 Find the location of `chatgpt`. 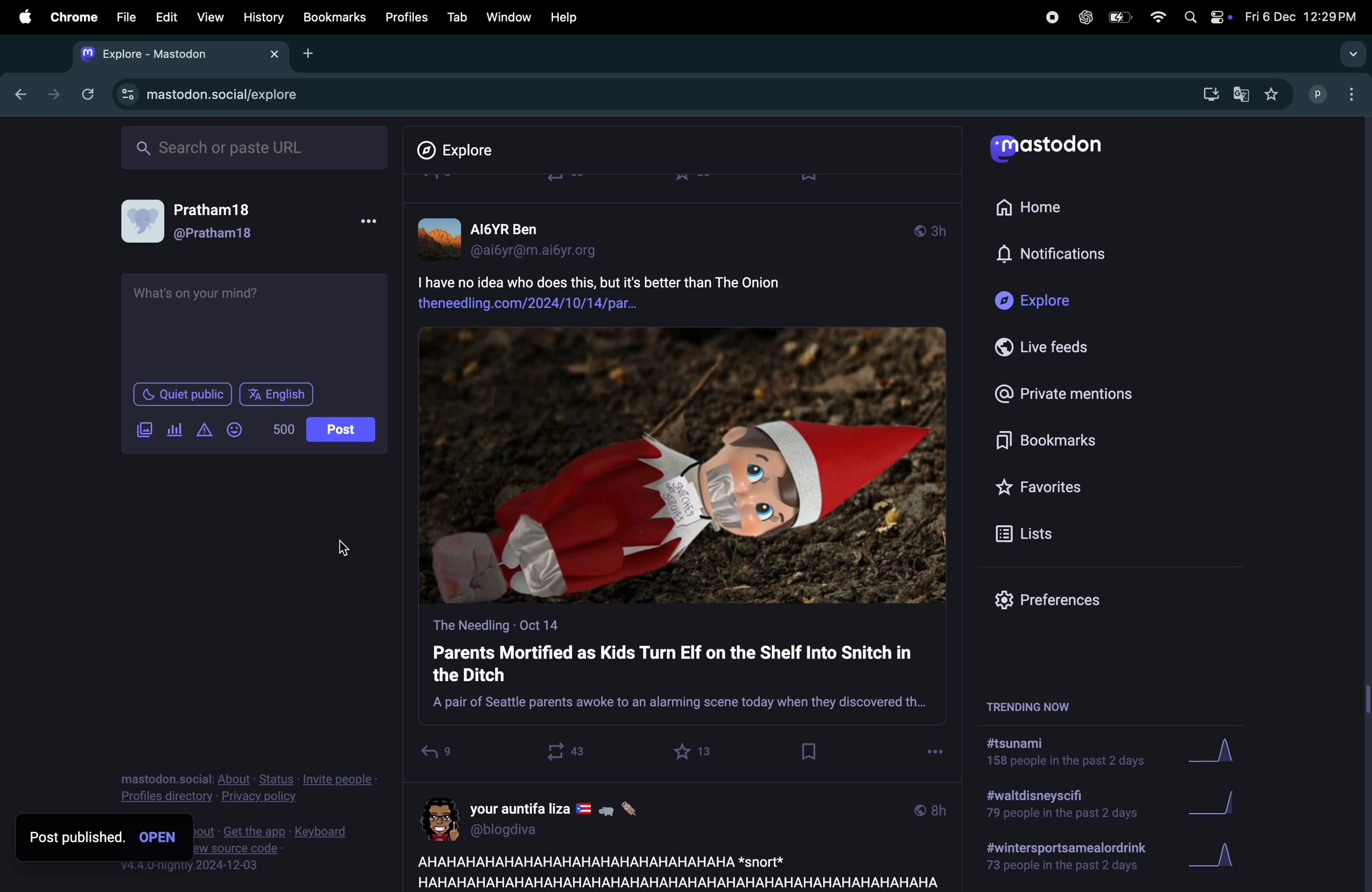

chatgpt is located at coordinates (1084, 17).